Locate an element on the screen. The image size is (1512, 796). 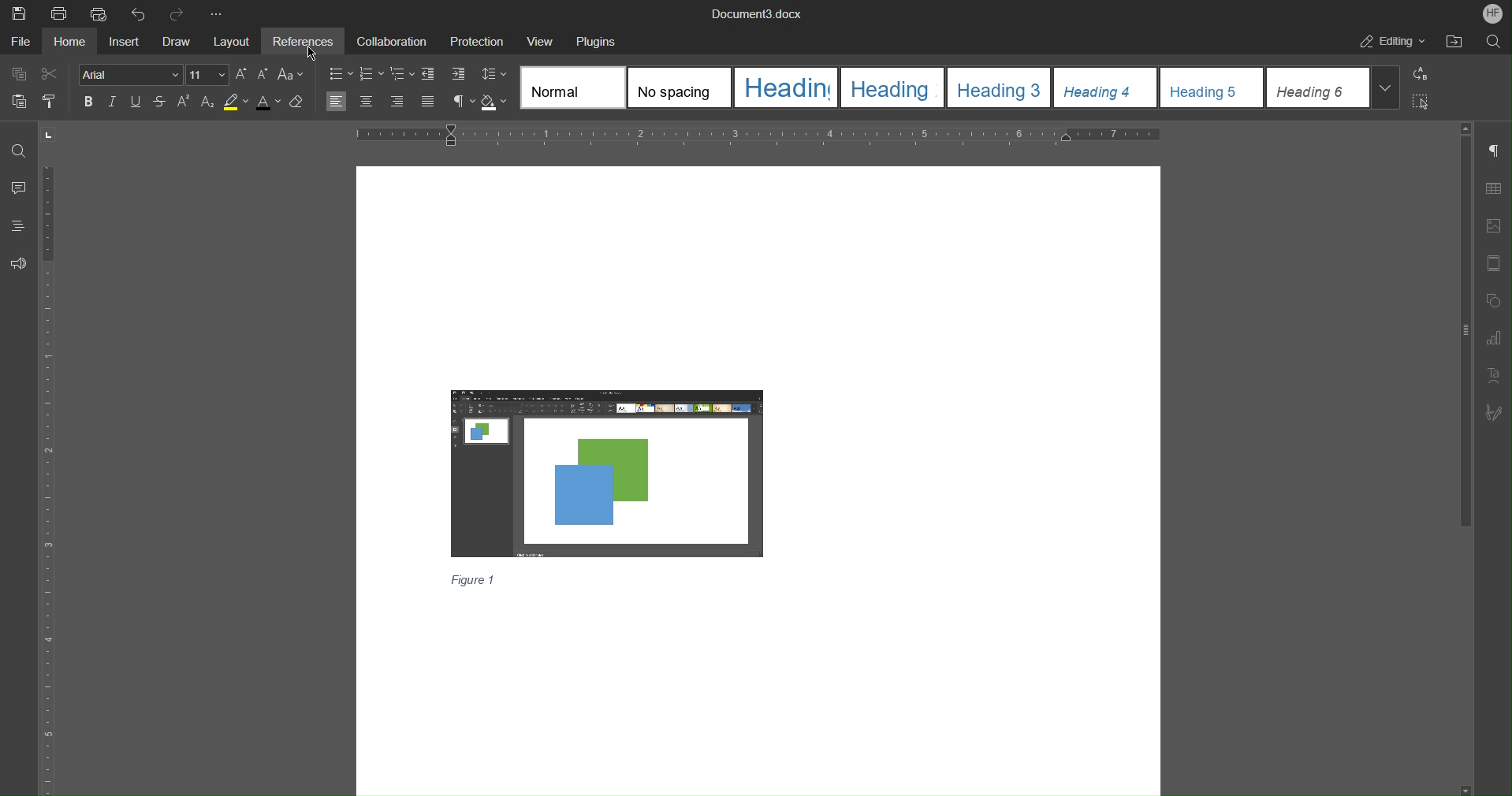
Non-Printing Characters is located at coordinates (460, 101).